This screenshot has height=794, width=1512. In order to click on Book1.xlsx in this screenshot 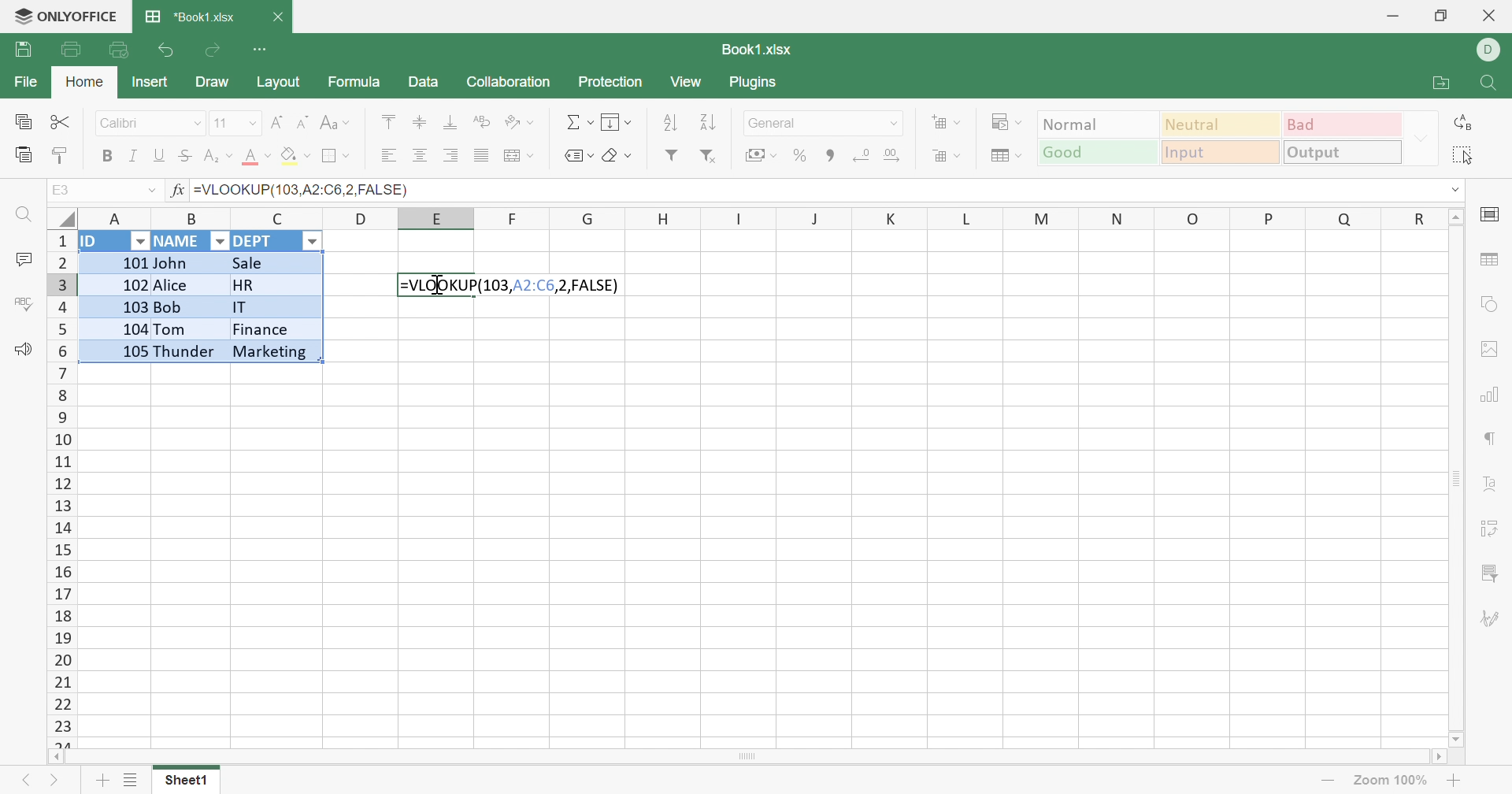, I will do `click(764, 51)`.